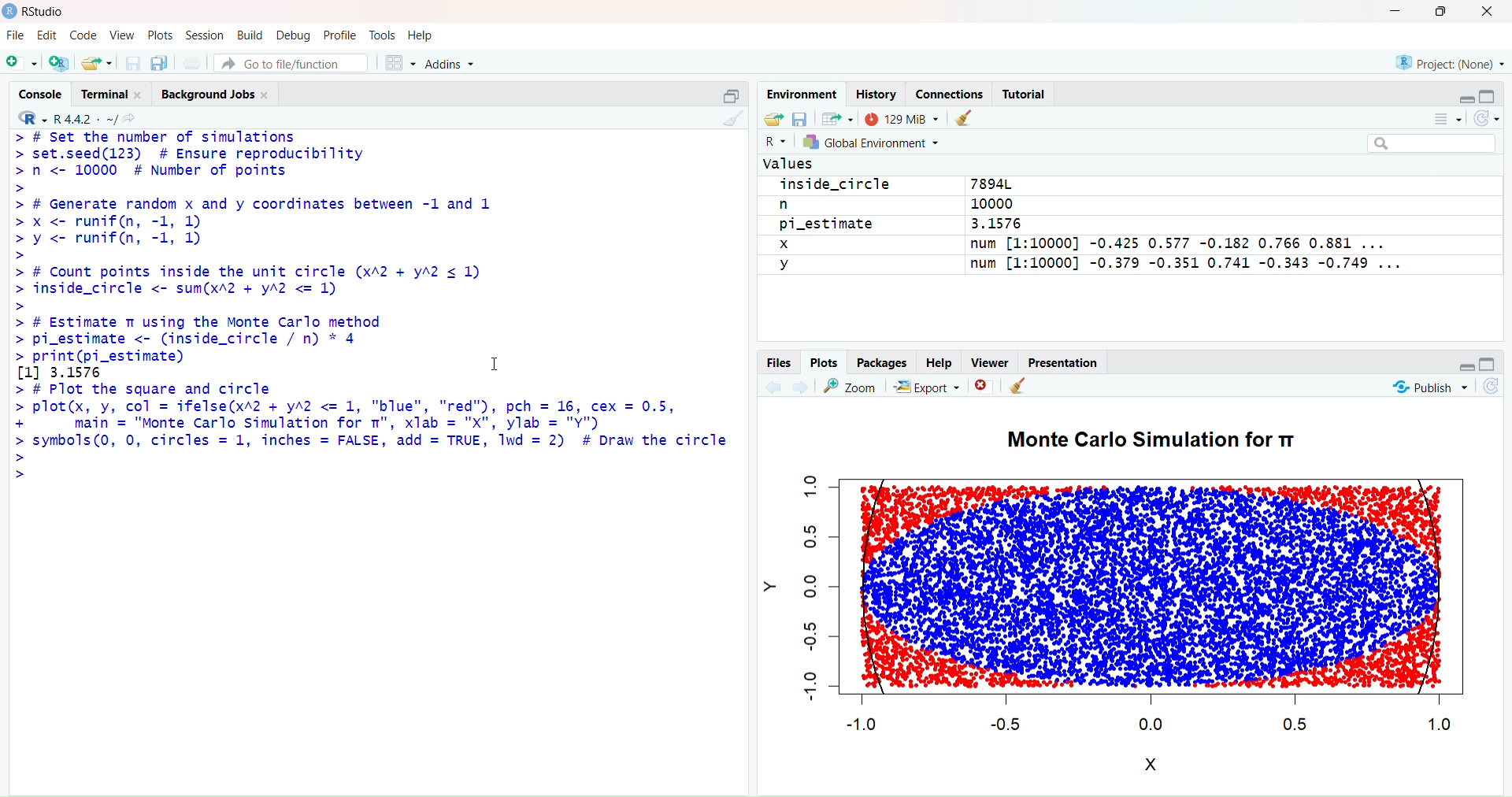  Describe the element at coordinates (730, 95) in the screenshot. I see `Maximize` at that location.